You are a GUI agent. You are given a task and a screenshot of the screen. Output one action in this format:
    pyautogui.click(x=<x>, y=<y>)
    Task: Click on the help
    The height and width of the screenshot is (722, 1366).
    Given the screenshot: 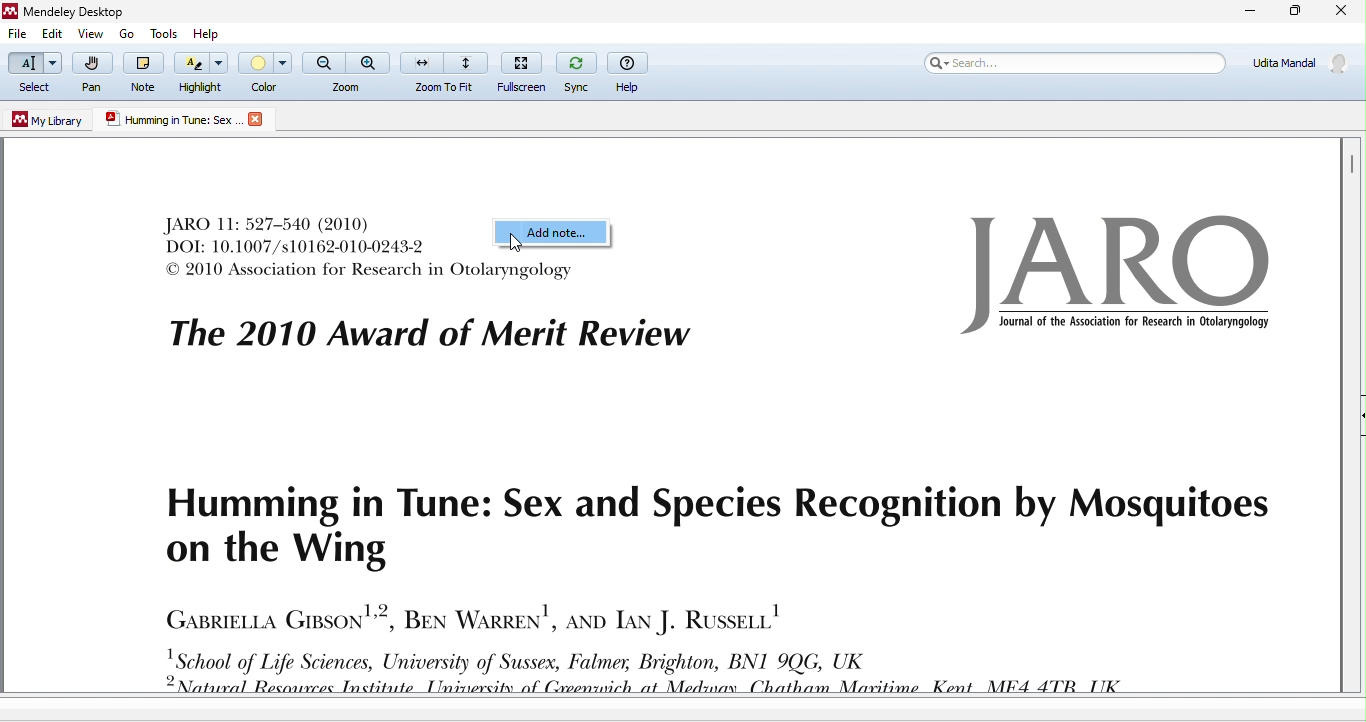 What is the action you would take?
    pyautogui.click(x=632, y=73)
    